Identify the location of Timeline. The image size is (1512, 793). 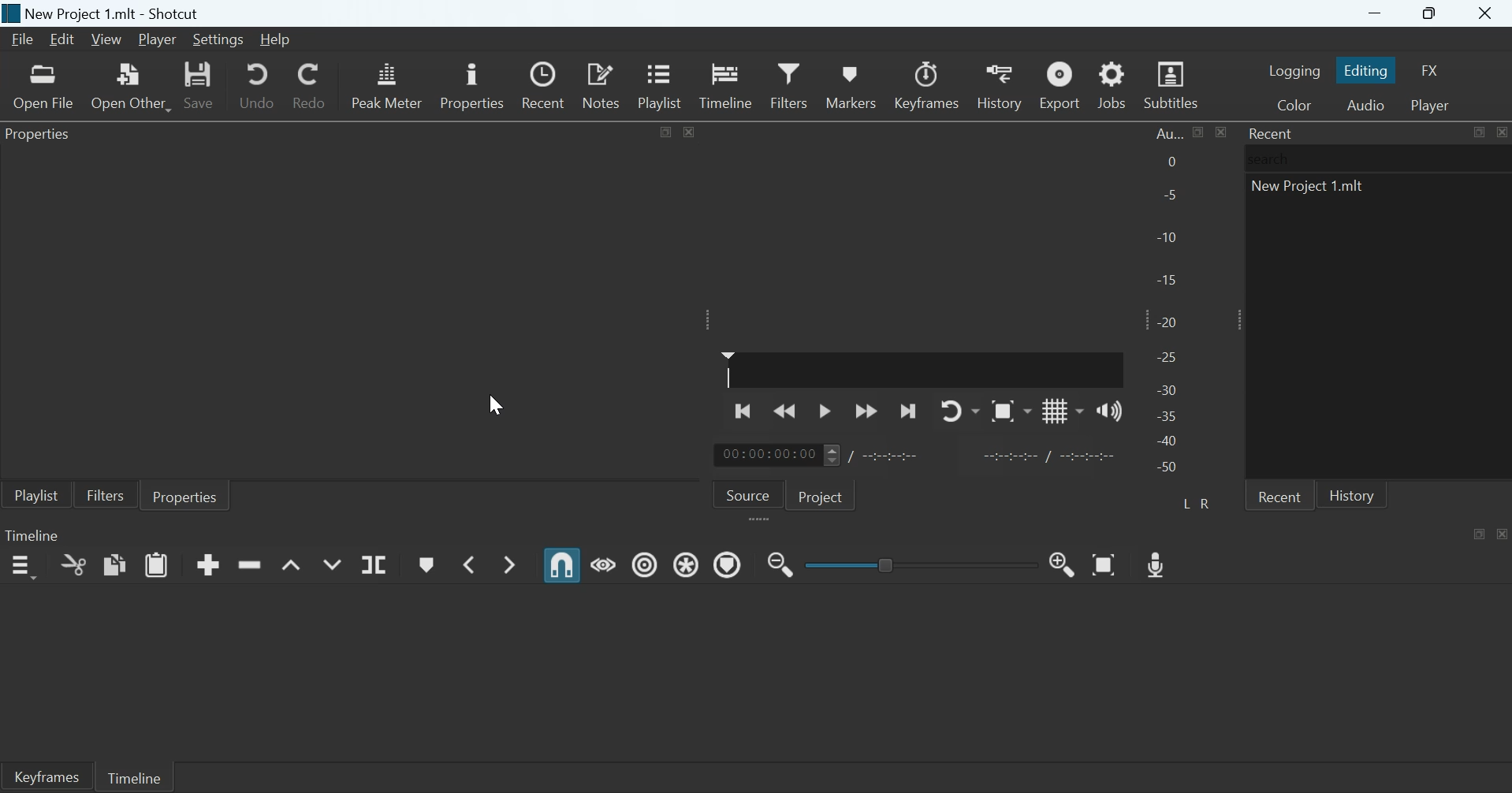
(133, 776).